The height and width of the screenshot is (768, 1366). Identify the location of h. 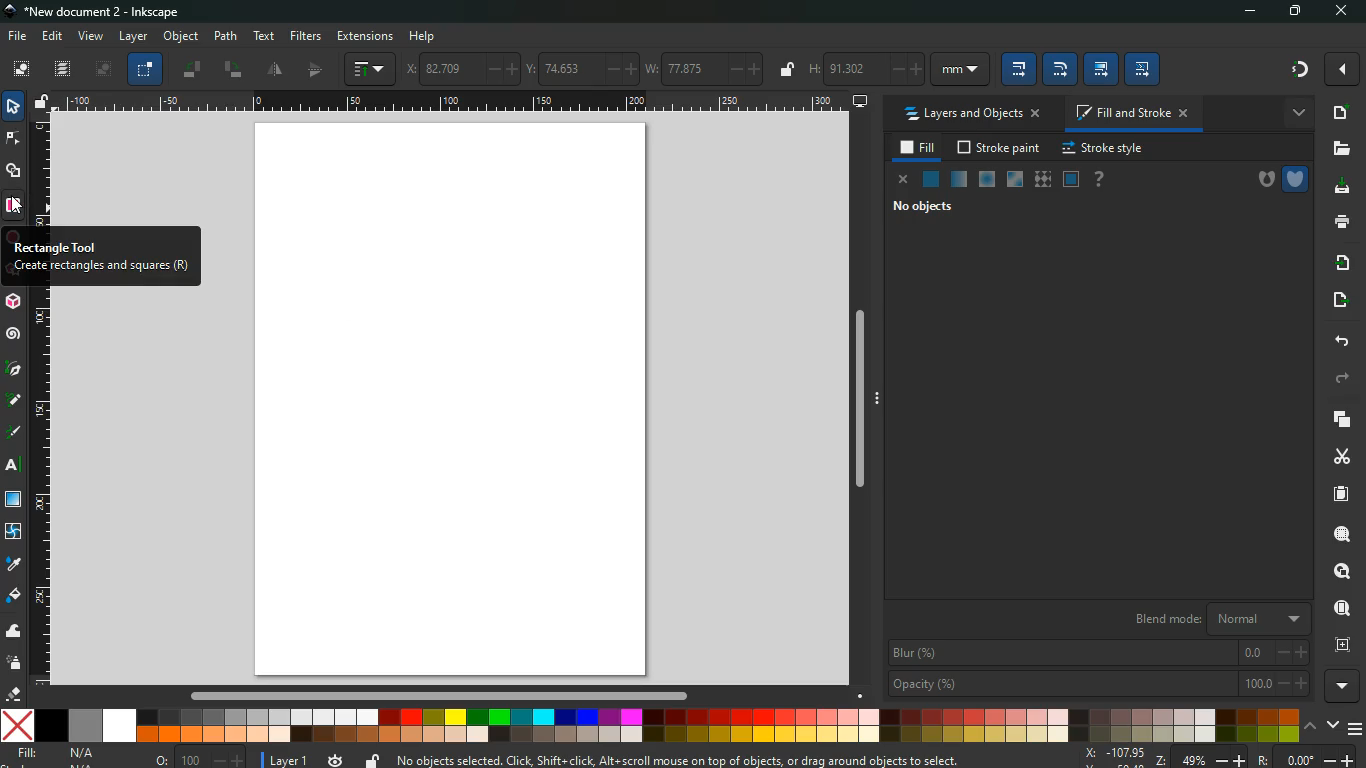
(863, 68).